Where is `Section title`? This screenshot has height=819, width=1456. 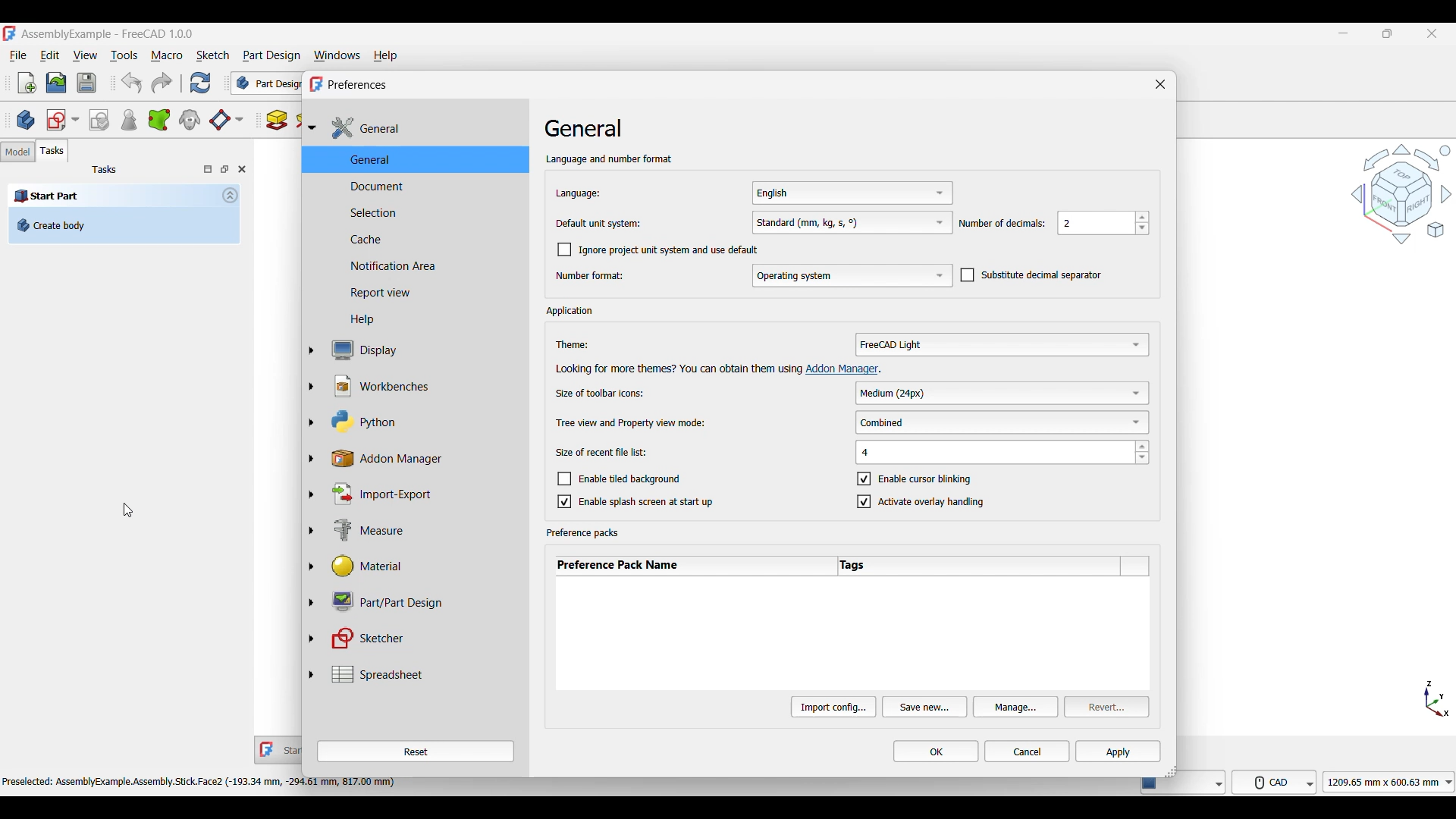 Section title is located at coordinates (573, 312).